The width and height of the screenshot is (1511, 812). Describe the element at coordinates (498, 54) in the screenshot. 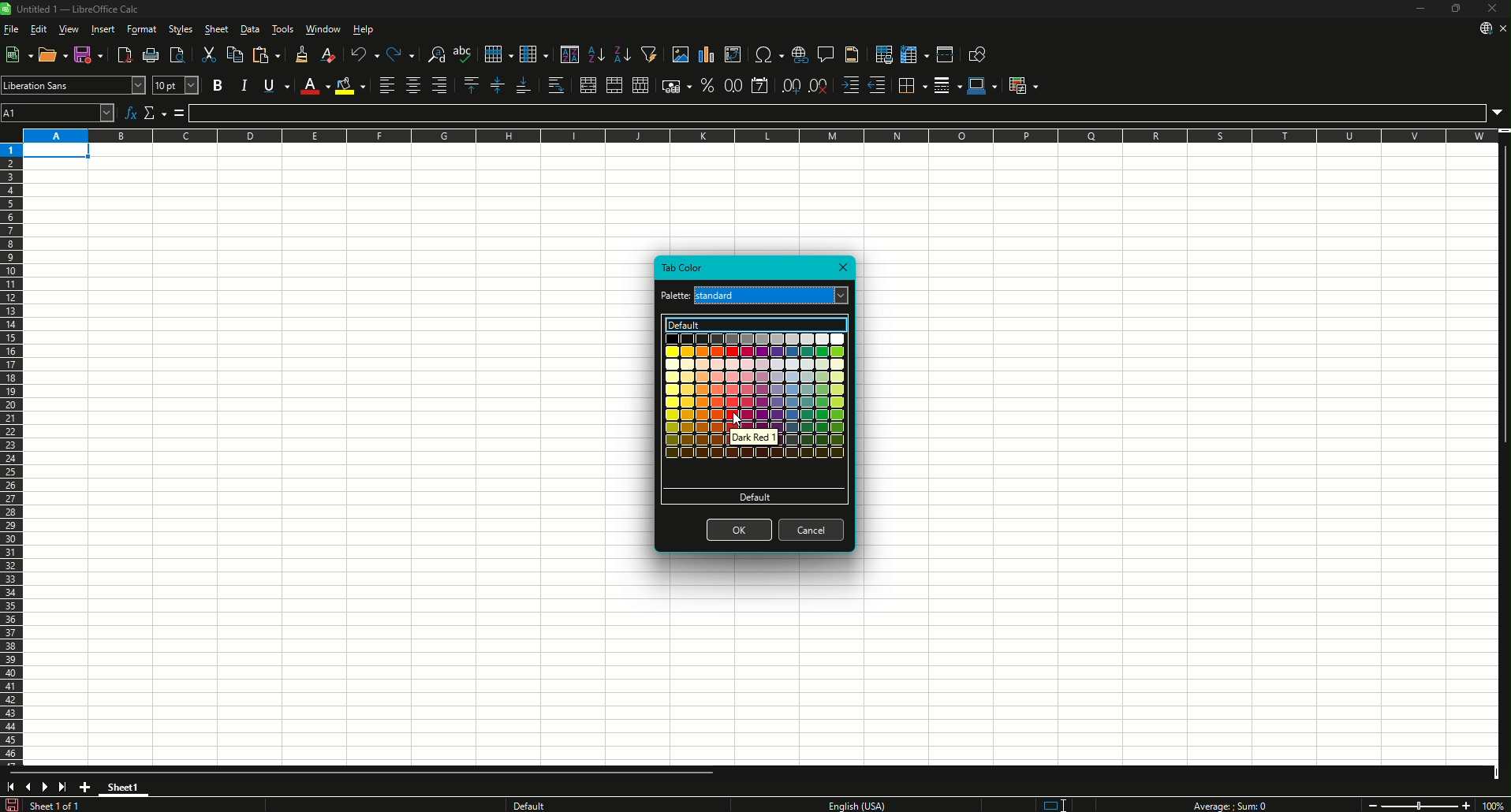

I see `Row` at that location.